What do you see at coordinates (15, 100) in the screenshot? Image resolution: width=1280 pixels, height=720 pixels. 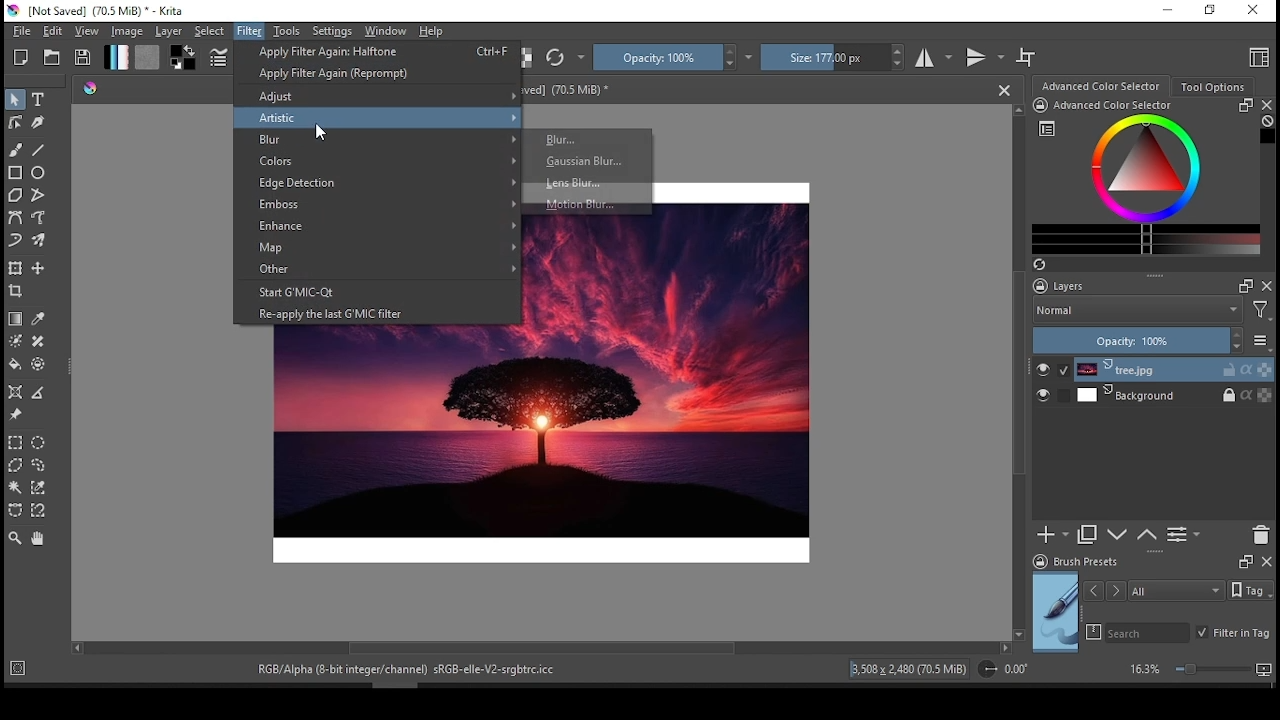 I see `select shapes tool` at bounding box center [15, 100].